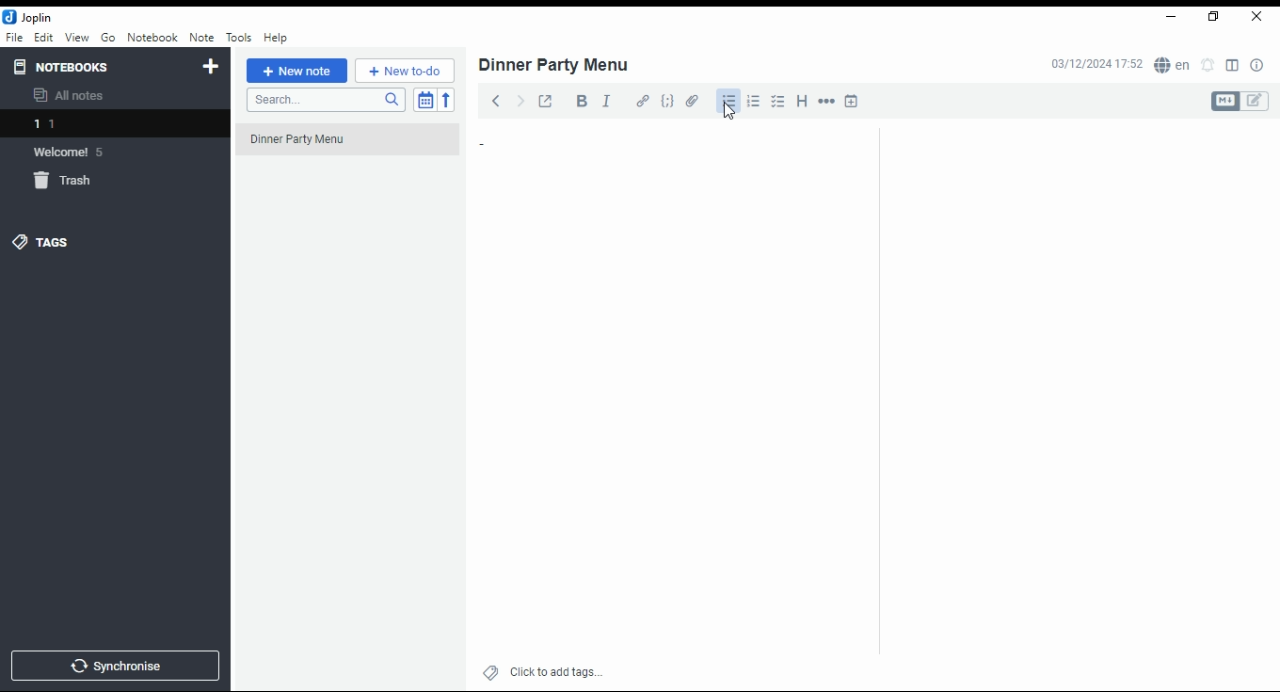  What do you see at coordinates (669, 103) in the screenshot?
I see `code` at bounding box center [669, 103].